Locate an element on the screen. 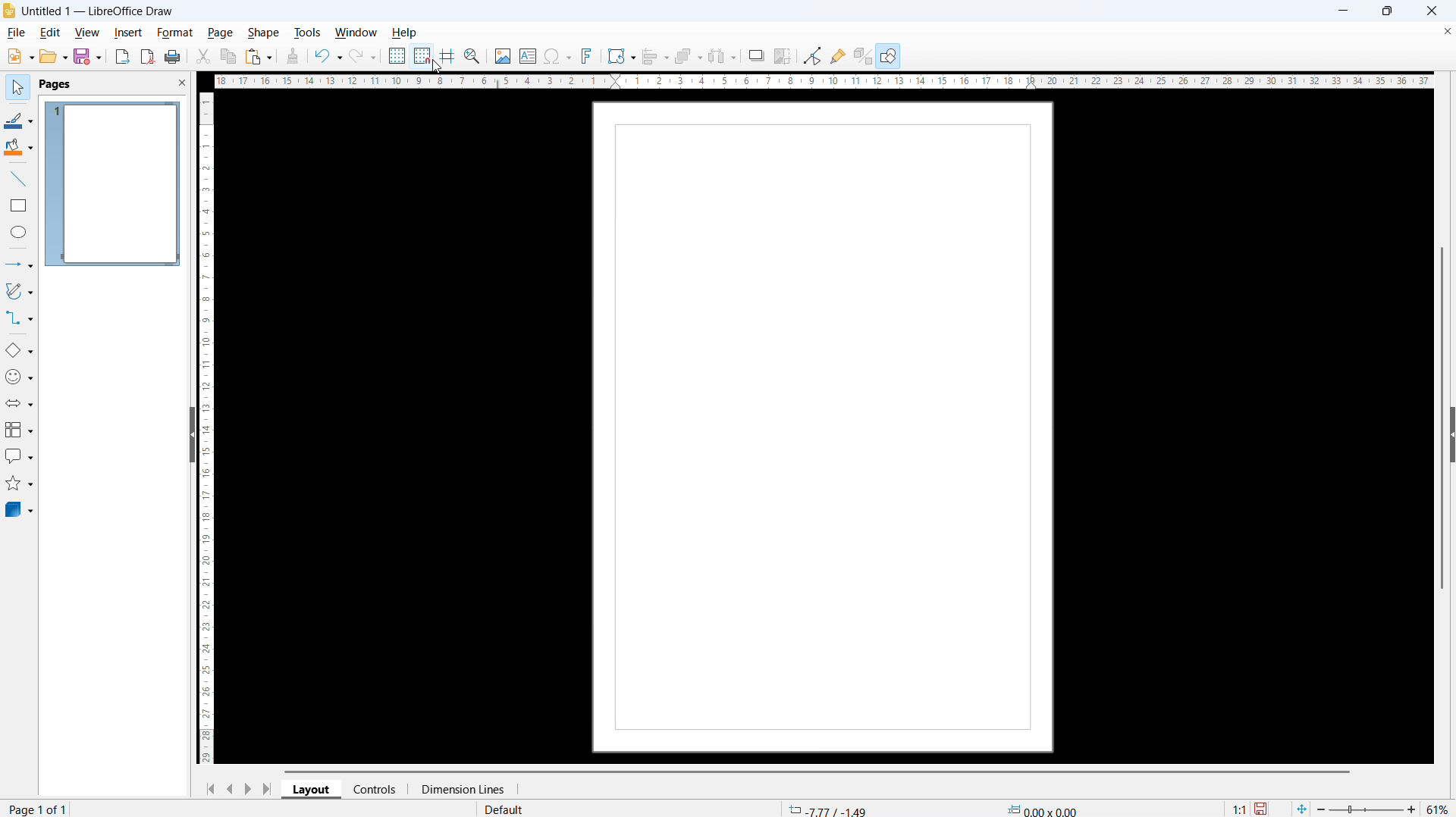 This screenshot has width=1456, height=817. Select at least three objects To distribute  is located at coordinates (723, 56).